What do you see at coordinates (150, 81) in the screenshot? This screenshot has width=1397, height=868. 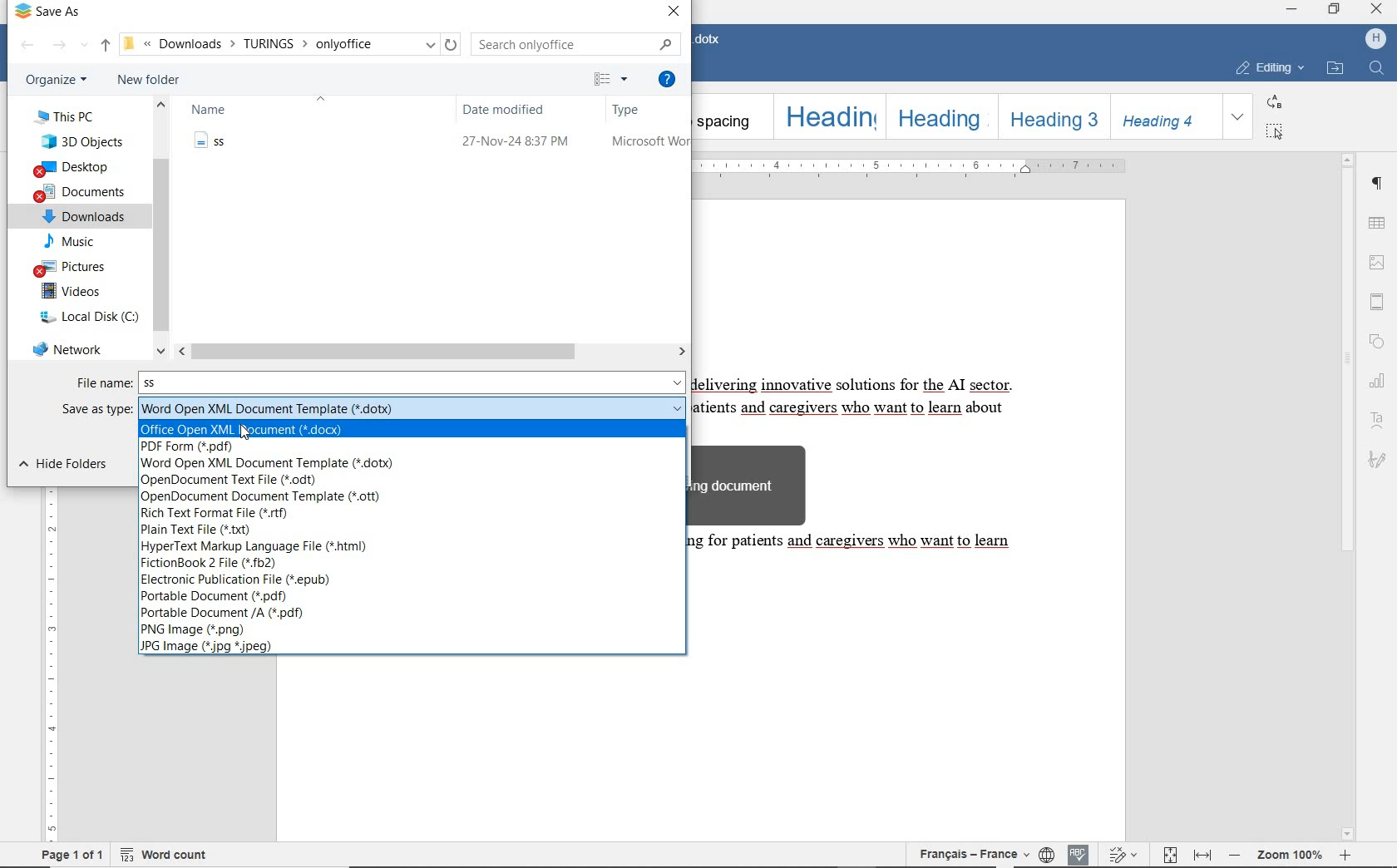 I see `NEW FOLDER` at bounding box center [150, 81].